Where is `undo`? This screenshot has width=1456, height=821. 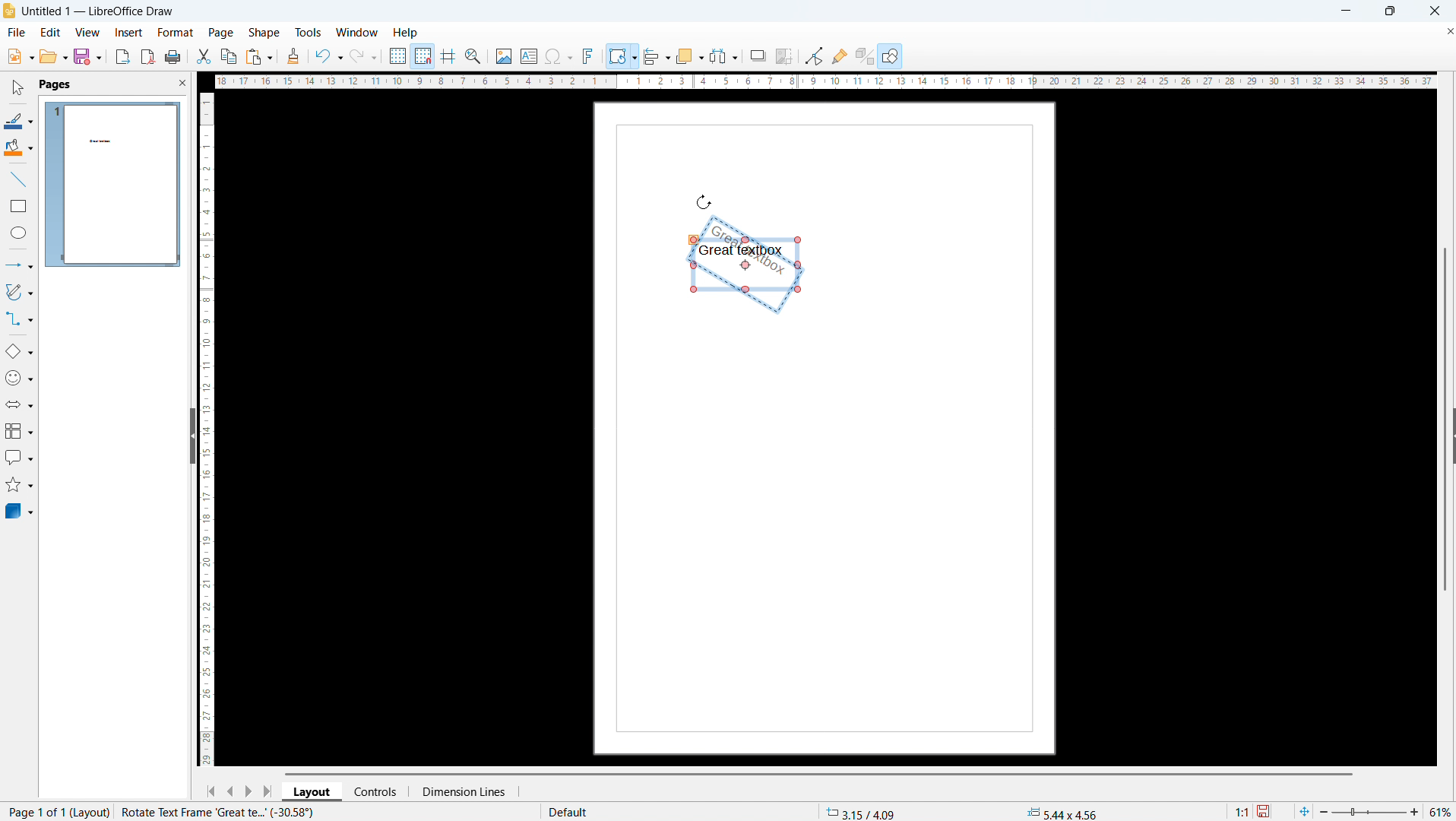
undo is located at coordinates (328, 55).